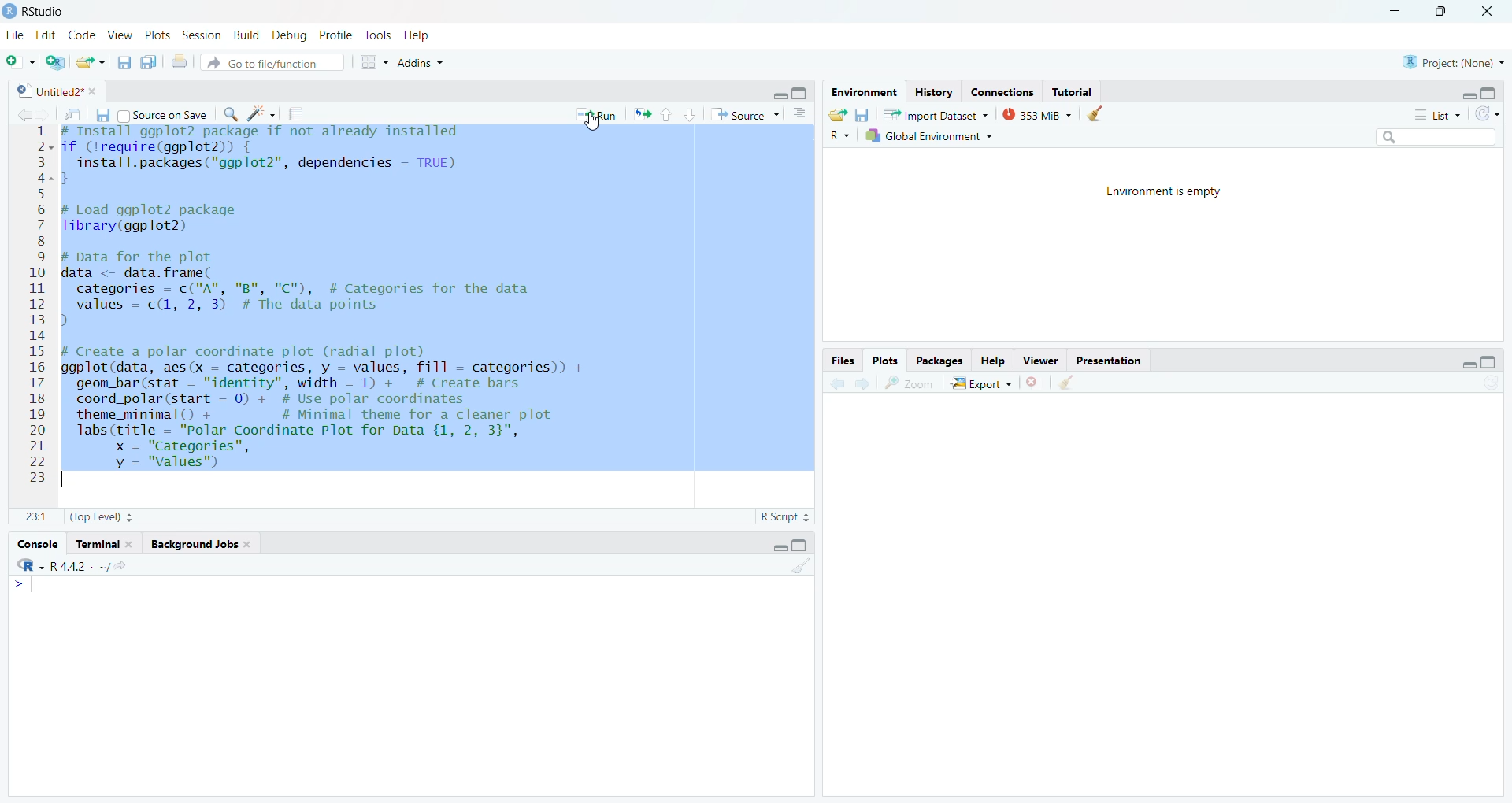  What do you see at coordinates (1041, 359) in the screenshot?
I see `Viewer` at bounding box center [1041, 359].